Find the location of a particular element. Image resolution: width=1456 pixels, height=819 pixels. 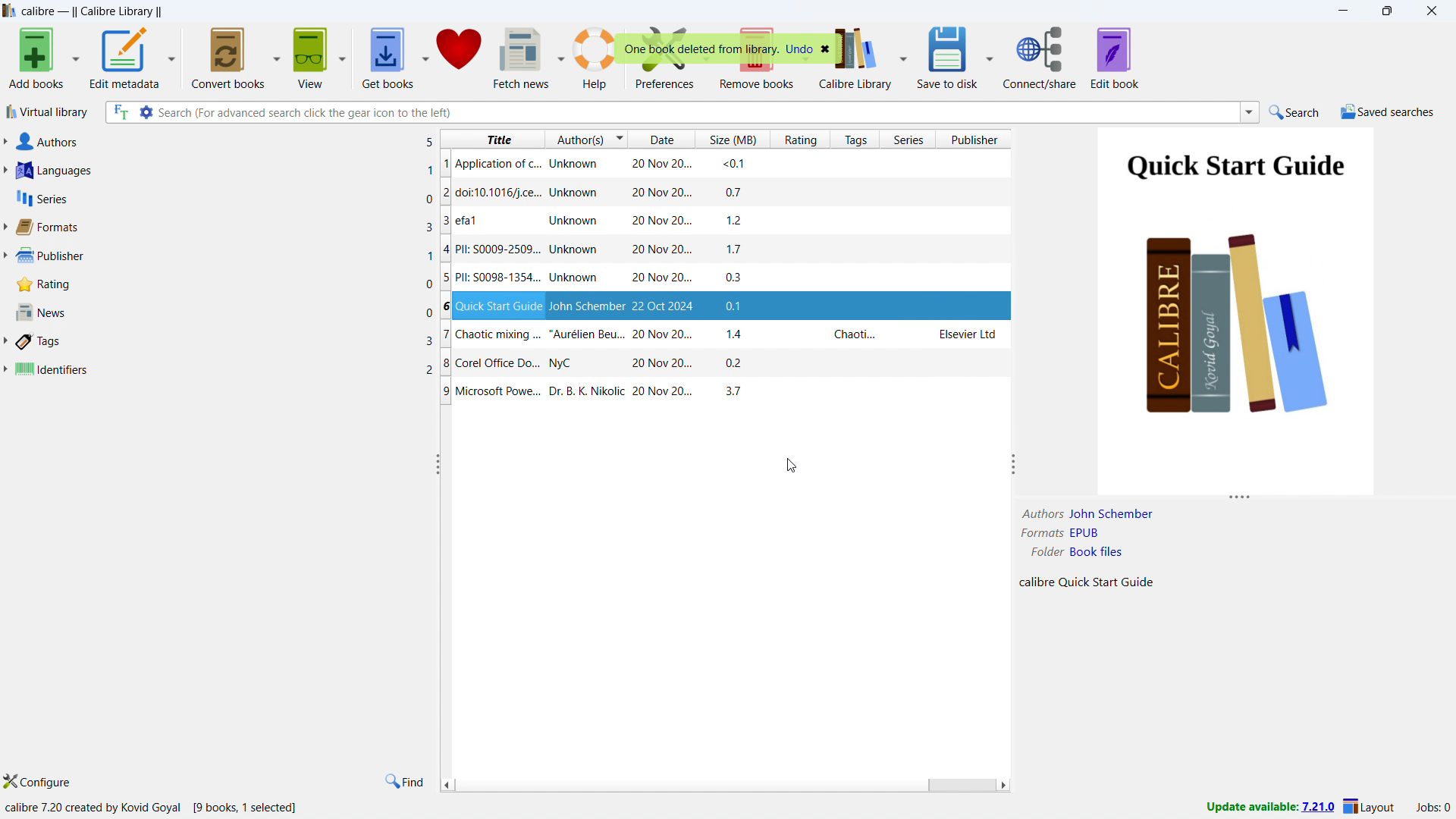

Corel Office Do.. is located at coordinates (716, 390).